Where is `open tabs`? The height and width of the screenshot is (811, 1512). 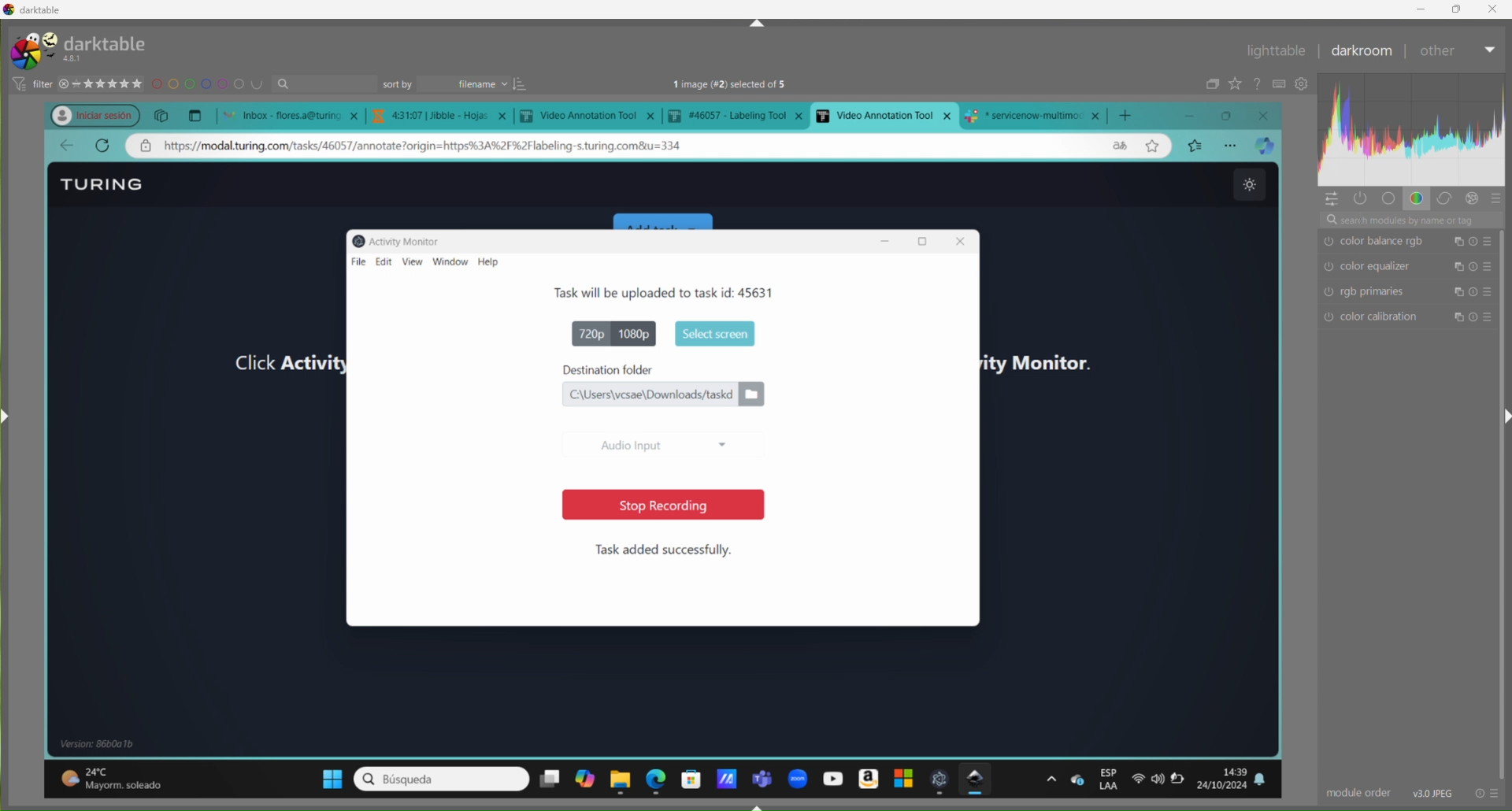 open tabs is located at coordinates (287, 114).